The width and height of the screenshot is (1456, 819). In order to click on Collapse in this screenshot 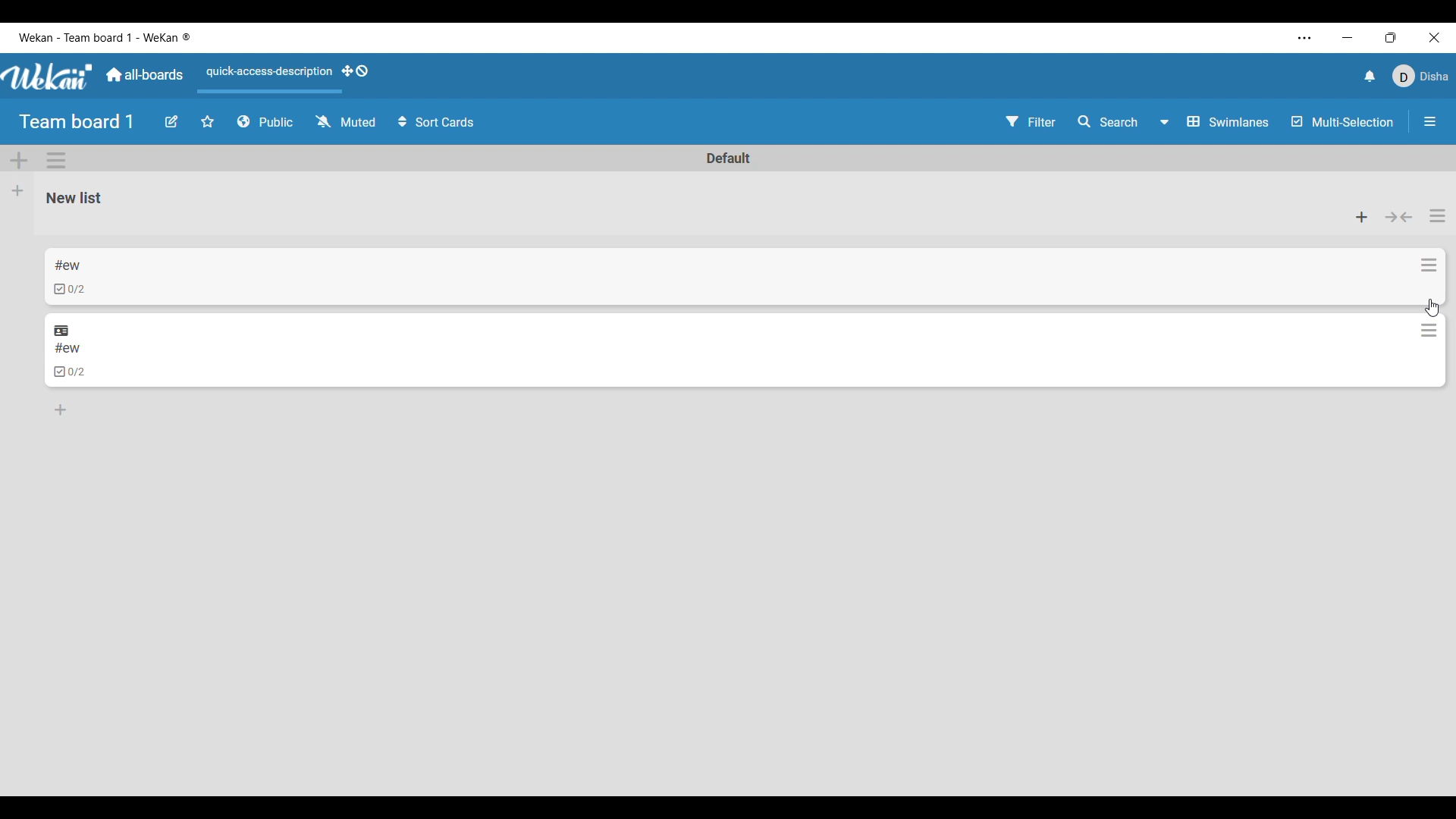, I will do `click(1398, 218)`.